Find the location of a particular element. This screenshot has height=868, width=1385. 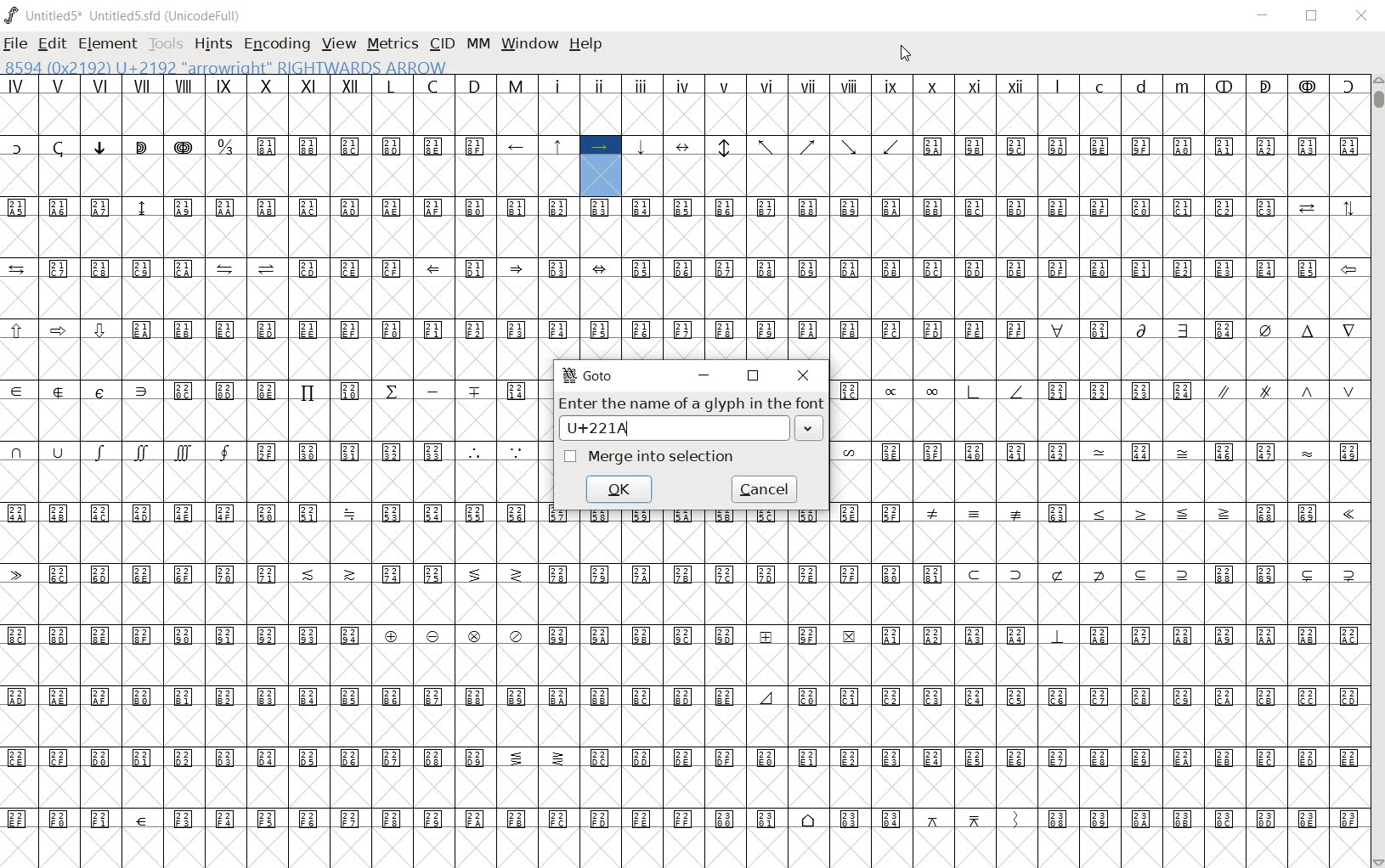

SCROLLBAR is located at coordinates (1377, 471).